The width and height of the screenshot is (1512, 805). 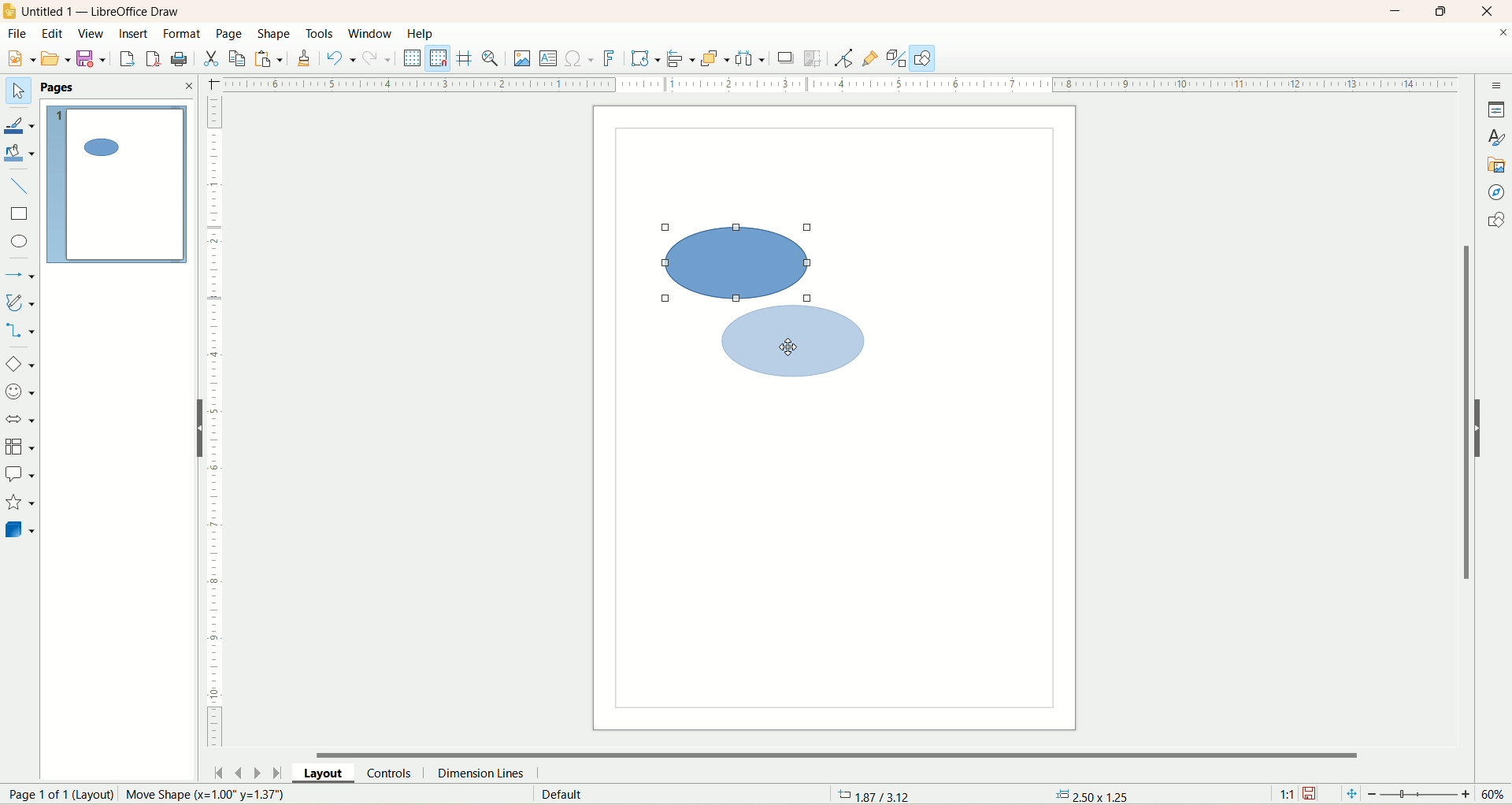 I want to click on select, so click(x=19, y=91).